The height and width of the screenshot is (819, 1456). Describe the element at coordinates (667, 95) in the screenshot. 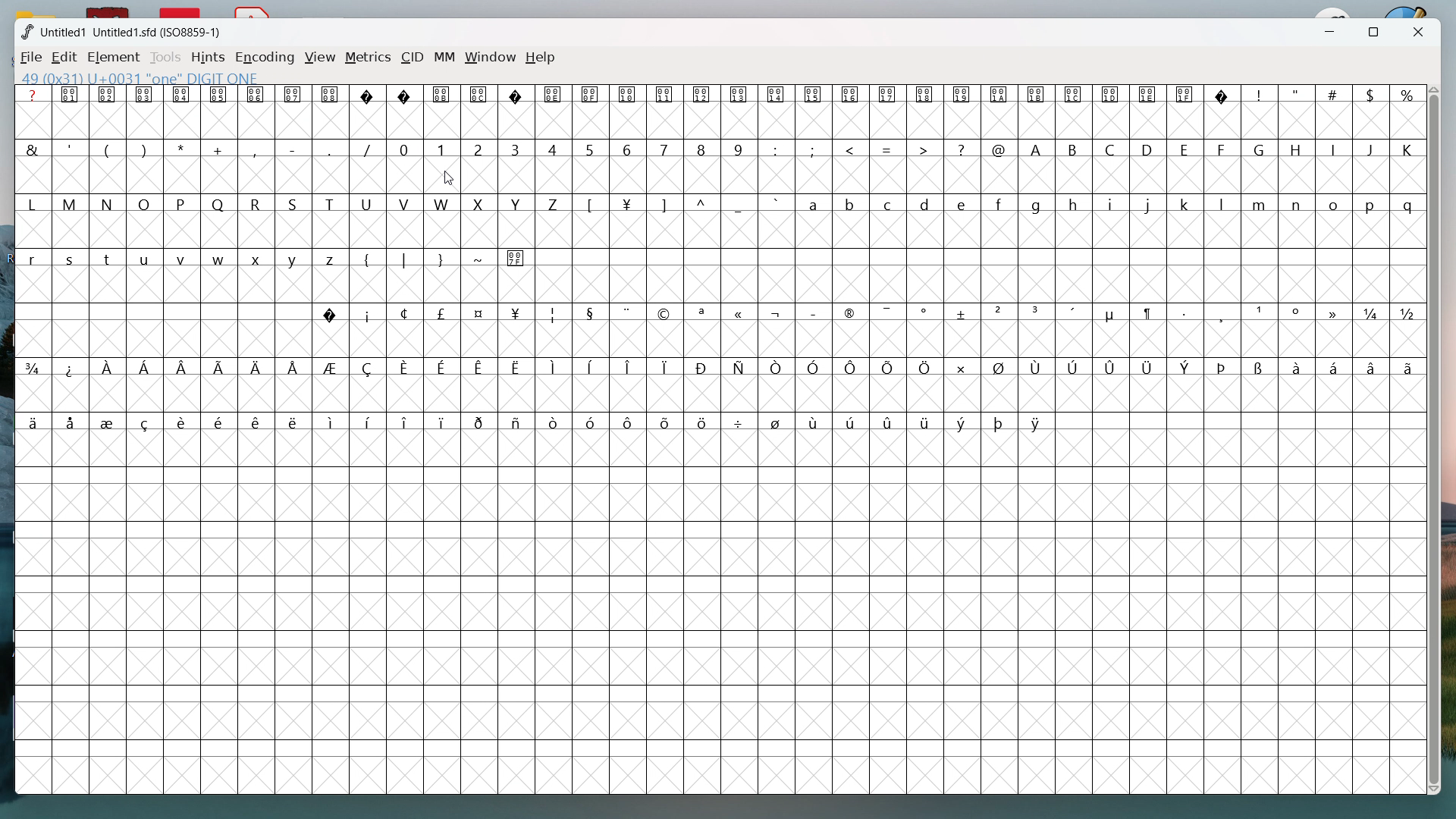

I see `symbol` at that location.